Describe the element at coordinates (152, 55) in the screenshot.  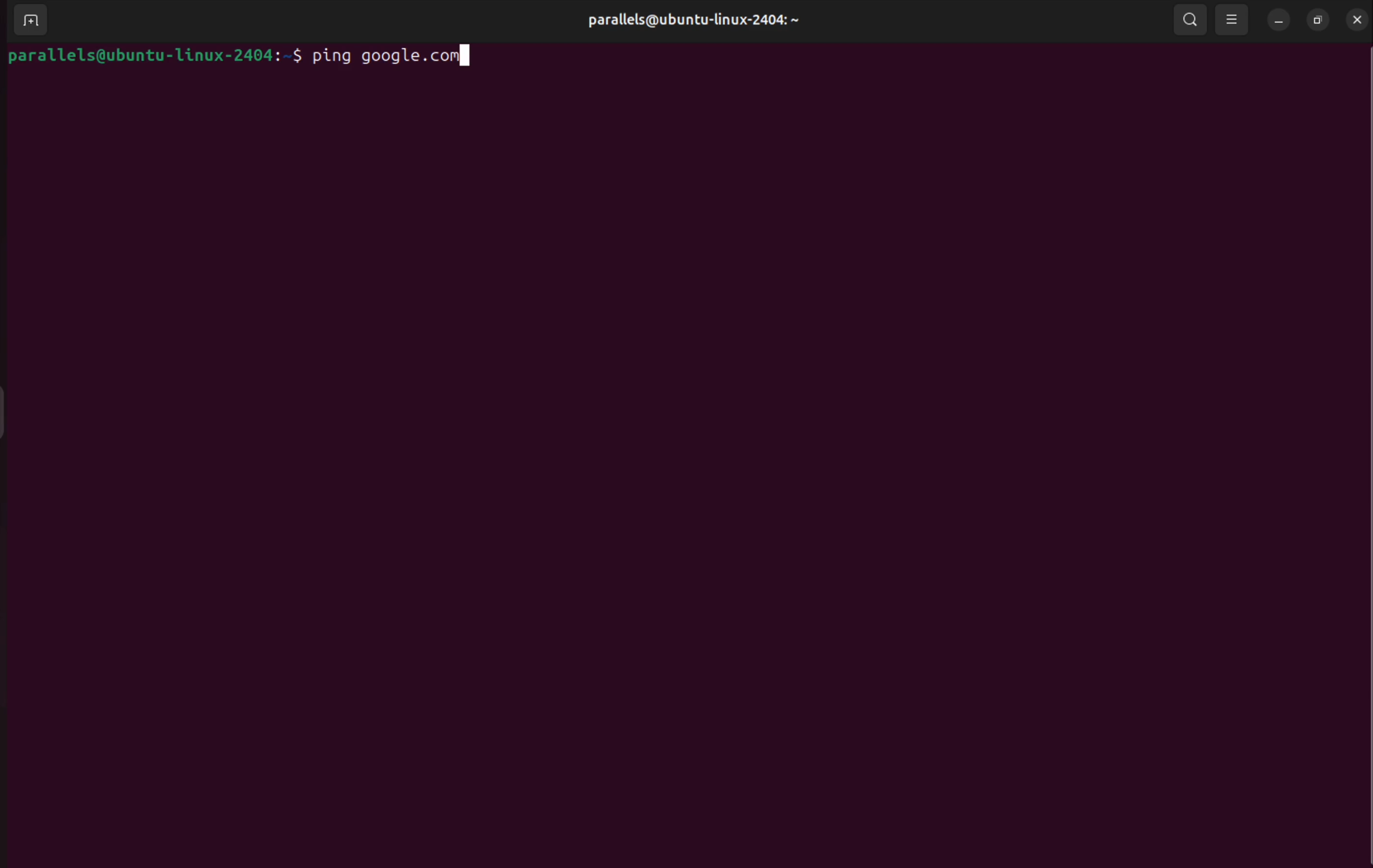
I see `bash prompt` at that location.